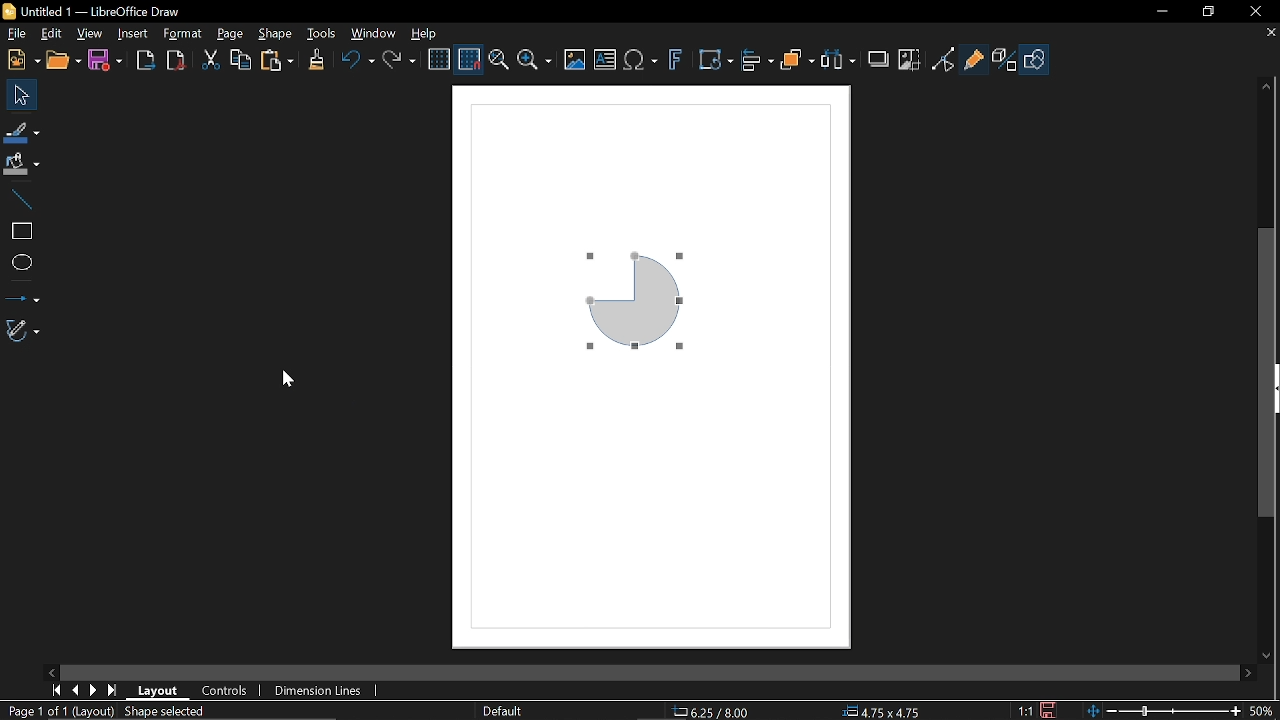 The height and width of the screenshot is (720, 1280). What do you see at coordinates (1271, 33) in the screenshot?
I see `Close tab` at bounding box center [1271, 33].